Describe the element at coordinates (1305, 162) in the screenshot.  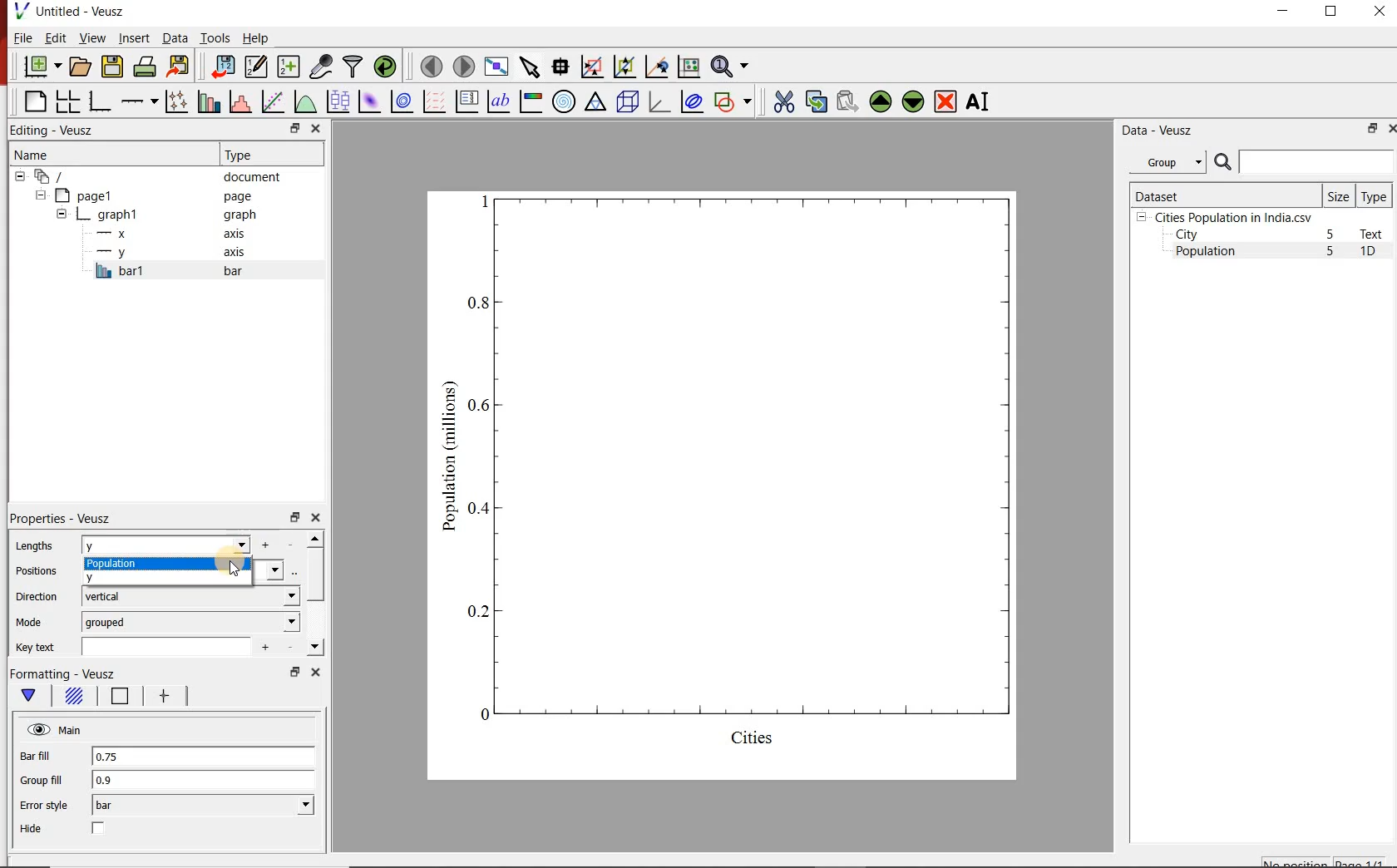
I see `search dataset` at that location.